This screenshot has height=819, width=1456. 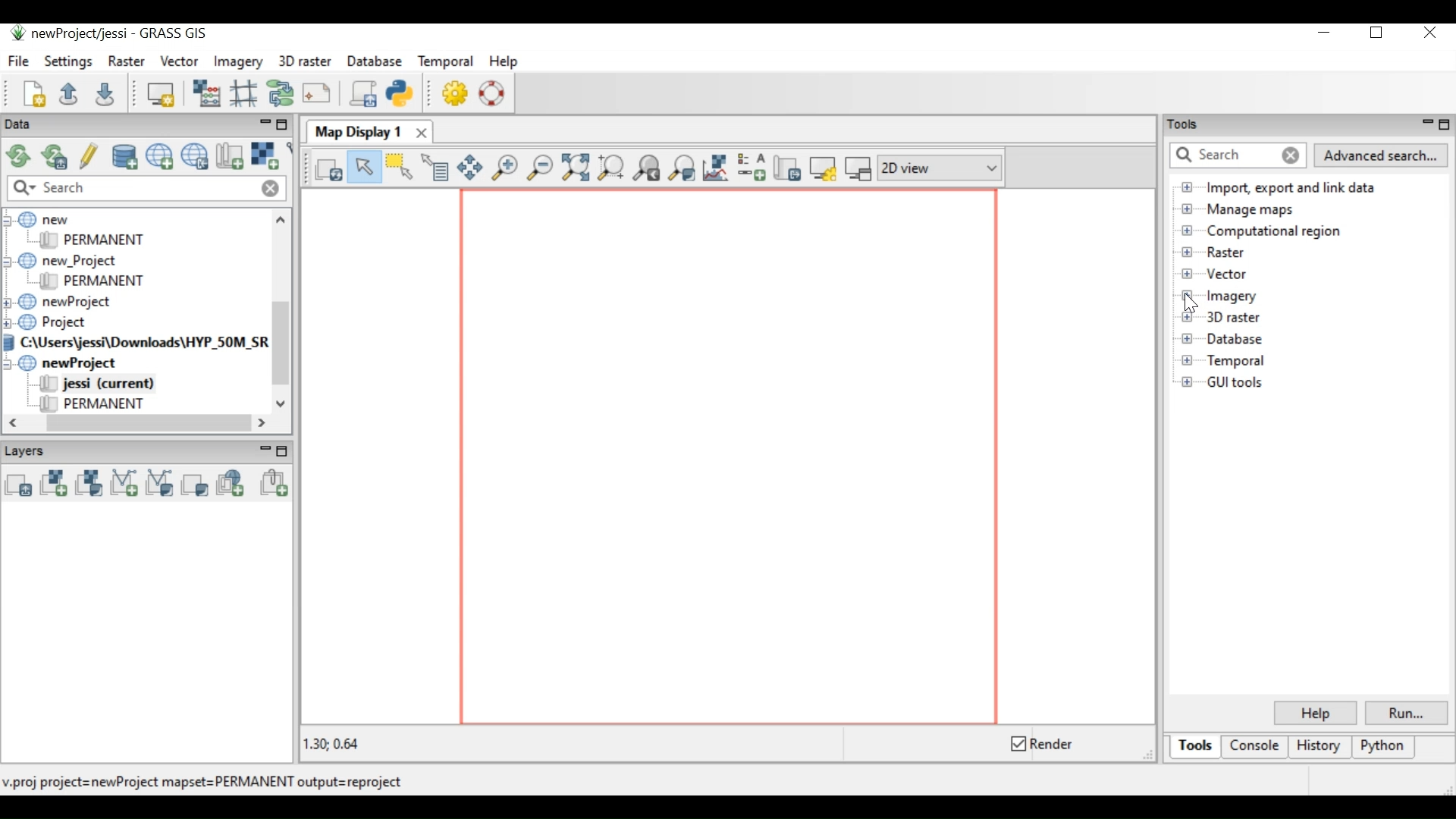 What do you see at coordinates (59, 217) in the screenshot?
I see ` new` at bounding box center [59, 217].